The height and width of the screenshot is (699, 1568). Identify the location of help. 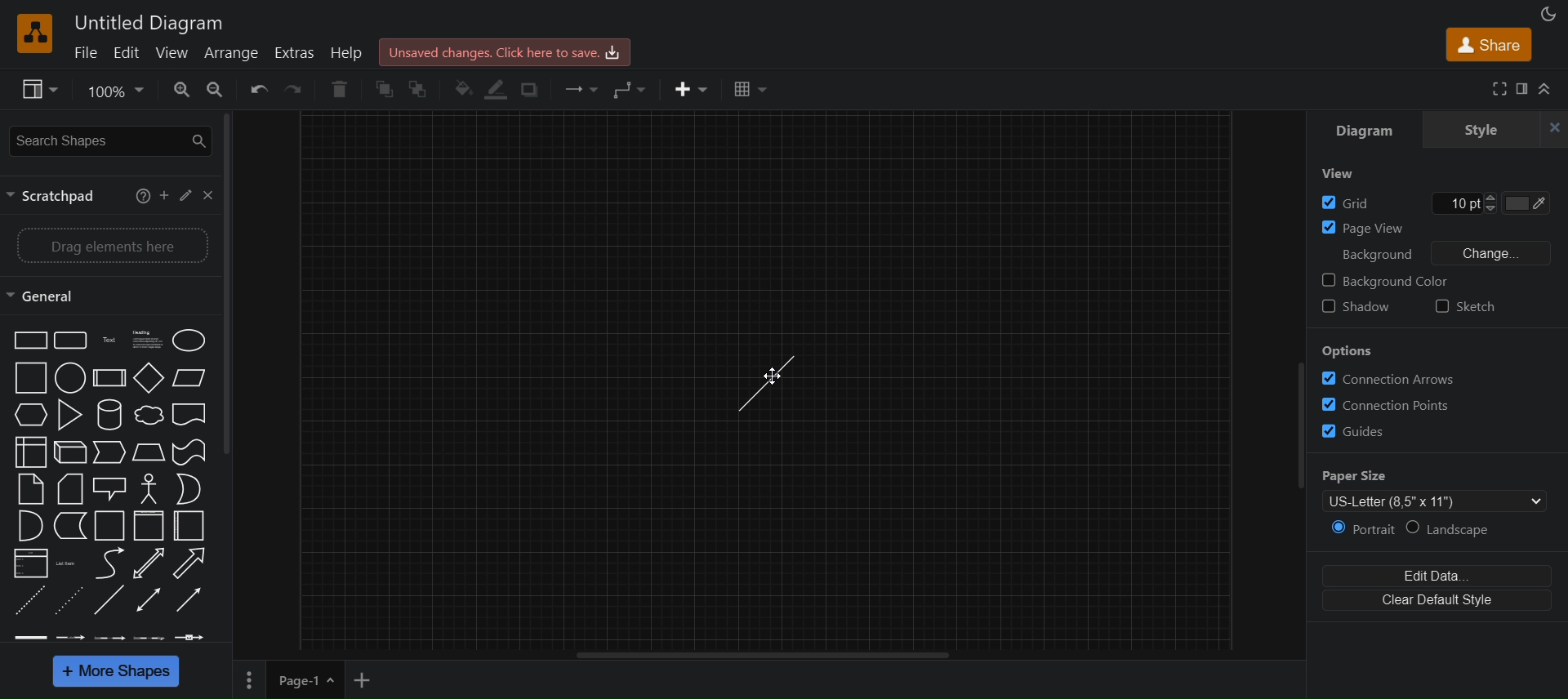
(349, 52).